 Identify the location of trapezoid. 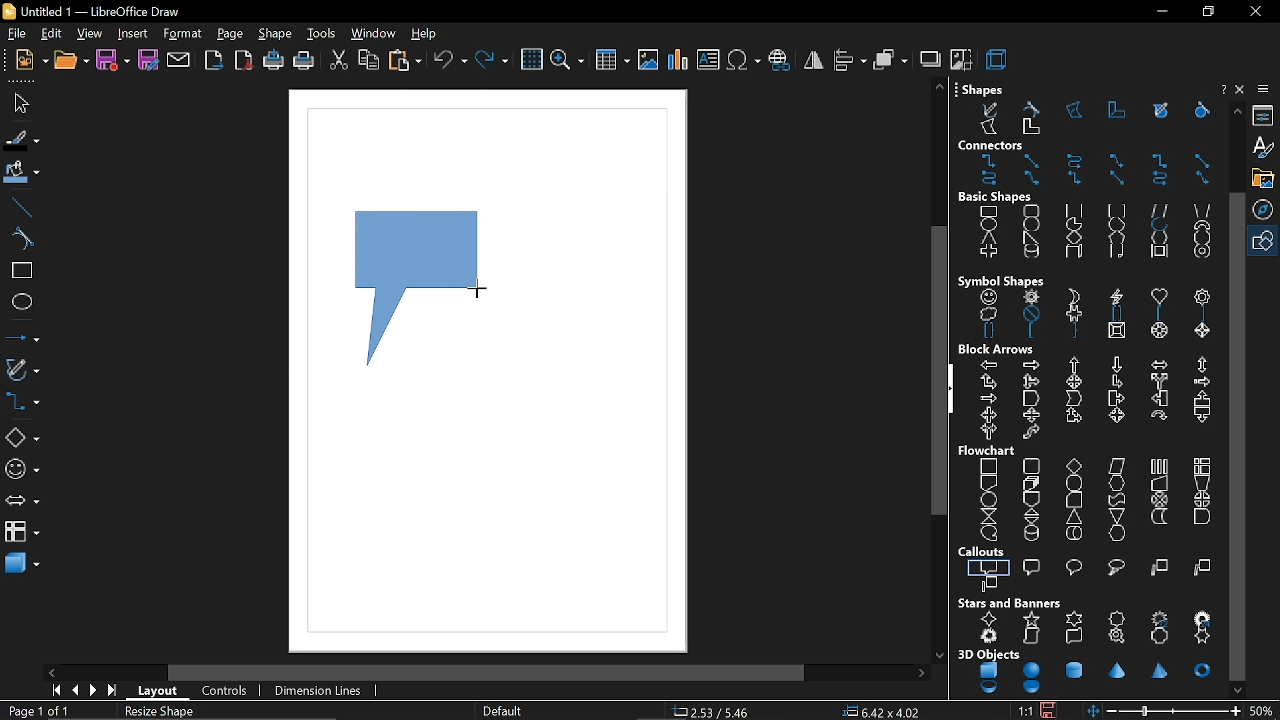
(1203, 208).